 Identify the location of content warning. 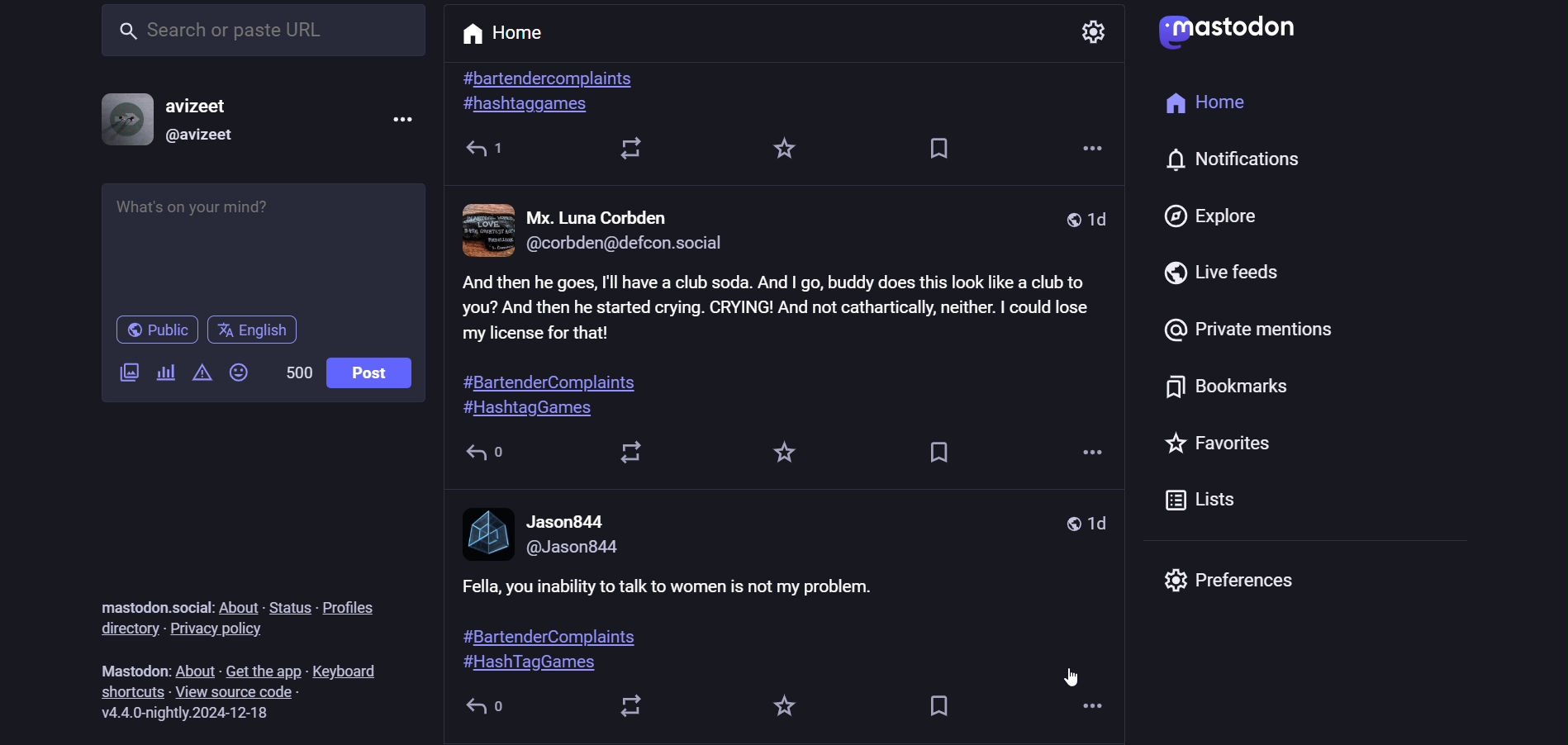
(201, 373).